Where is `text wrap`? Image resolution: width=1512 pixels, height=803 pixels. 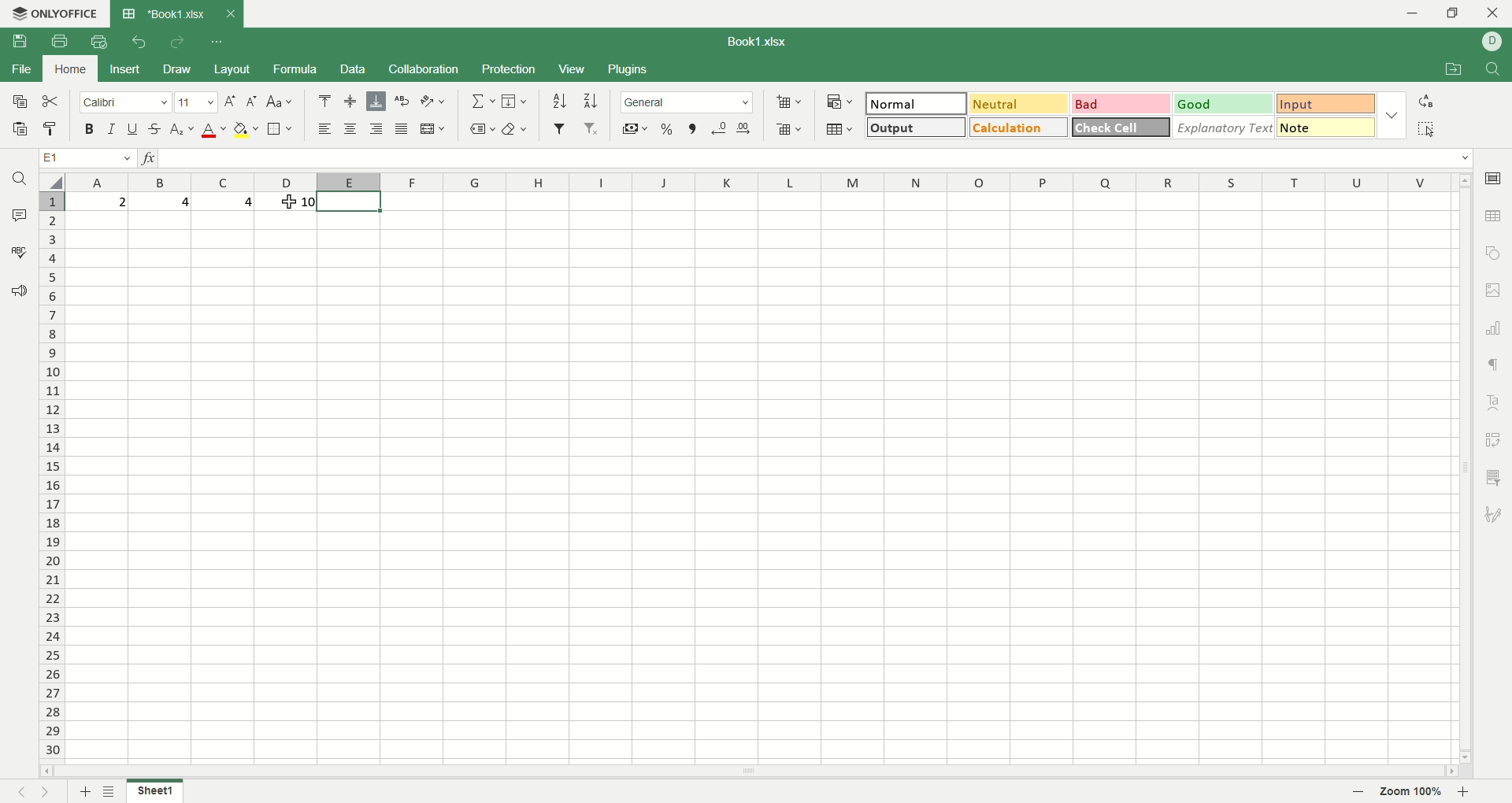
text wrap is located at coordinates (401, 102).